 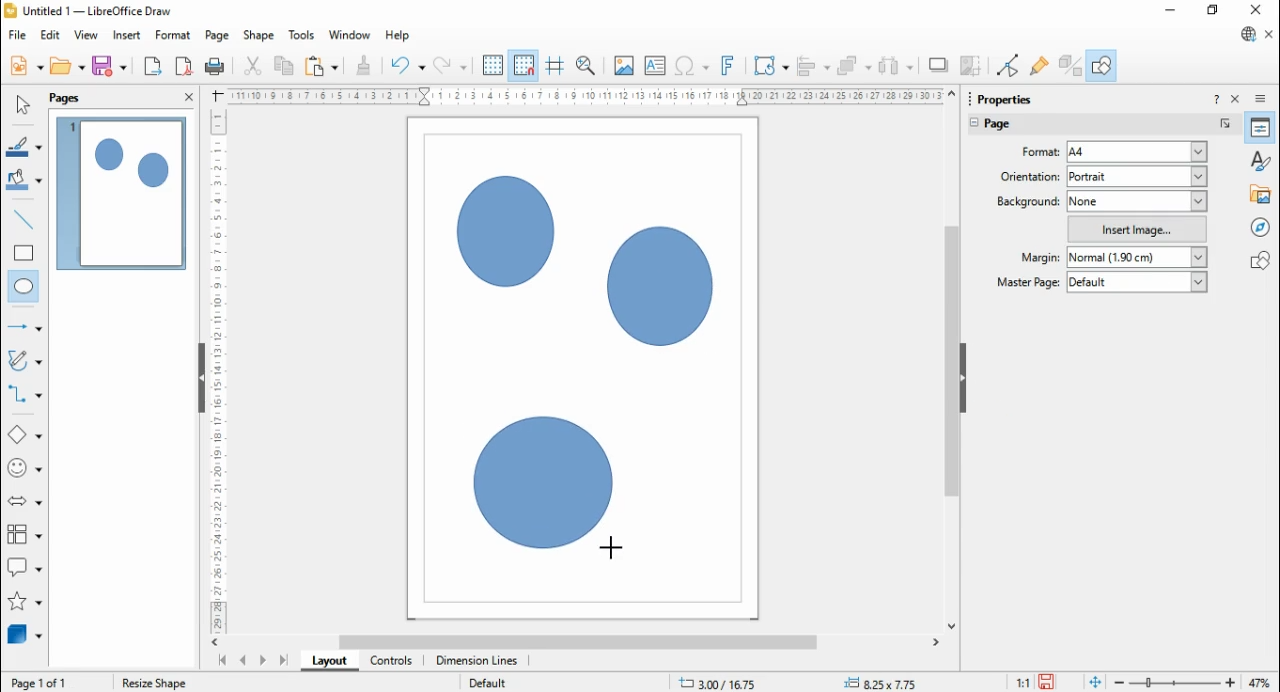 What do you see at coordinates (952, 359) in the screenshot?
I see `scroll bar` at bounding box center [952, 359].